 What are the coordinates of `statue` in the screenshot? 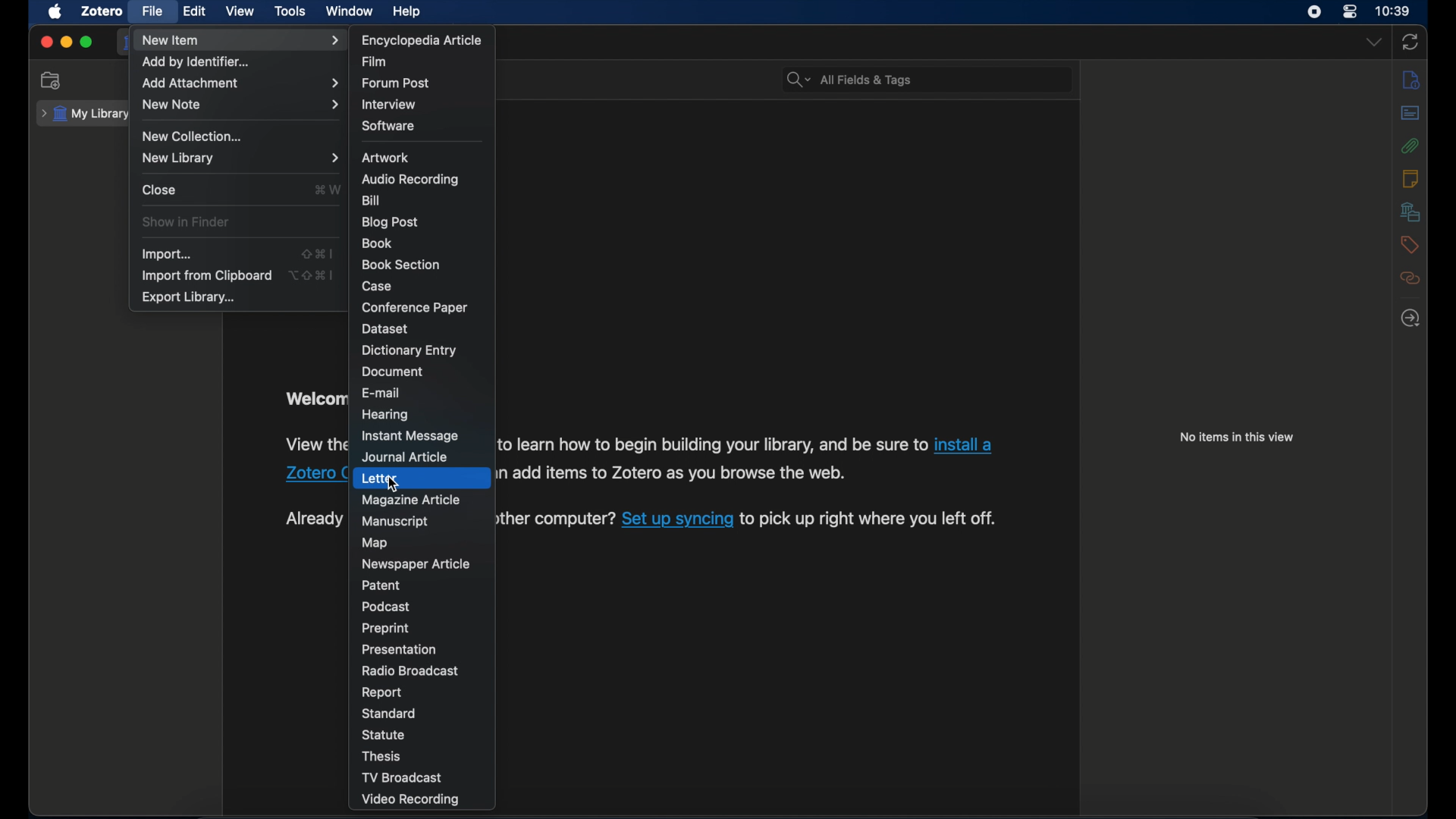 It's located at (385, 734).